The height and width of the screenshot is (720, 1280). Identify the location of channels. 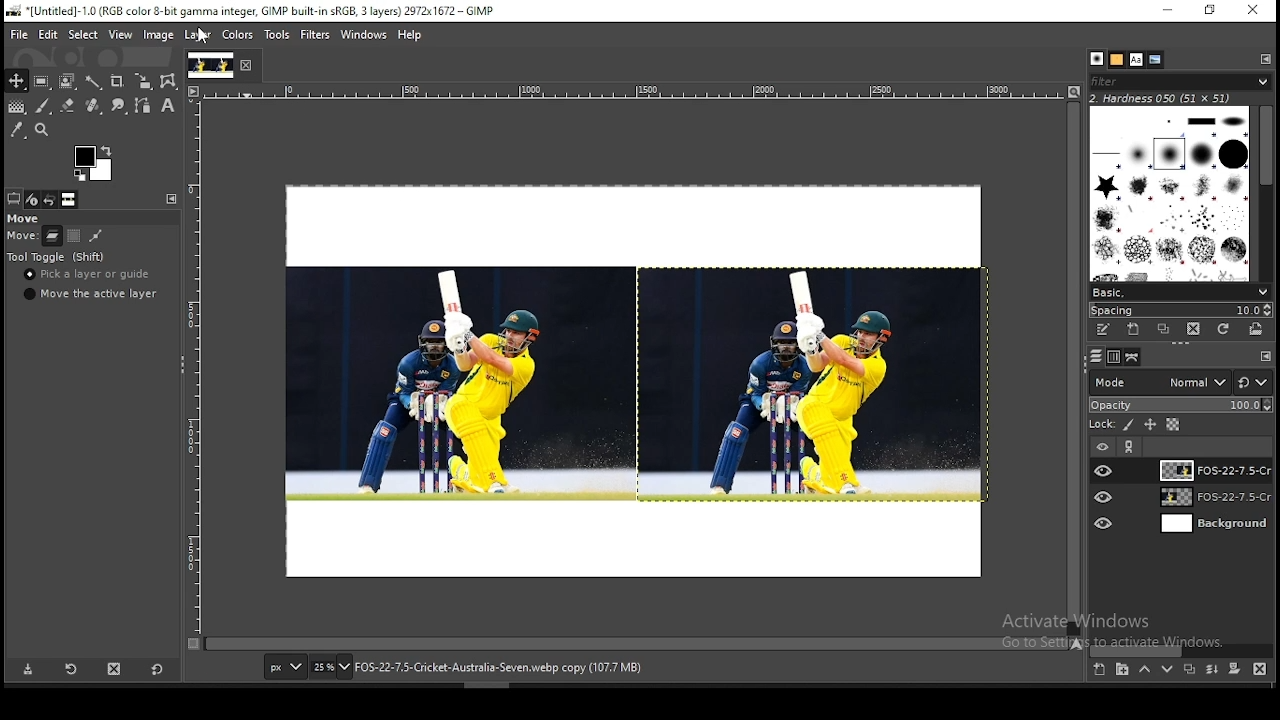
(1112, 358).